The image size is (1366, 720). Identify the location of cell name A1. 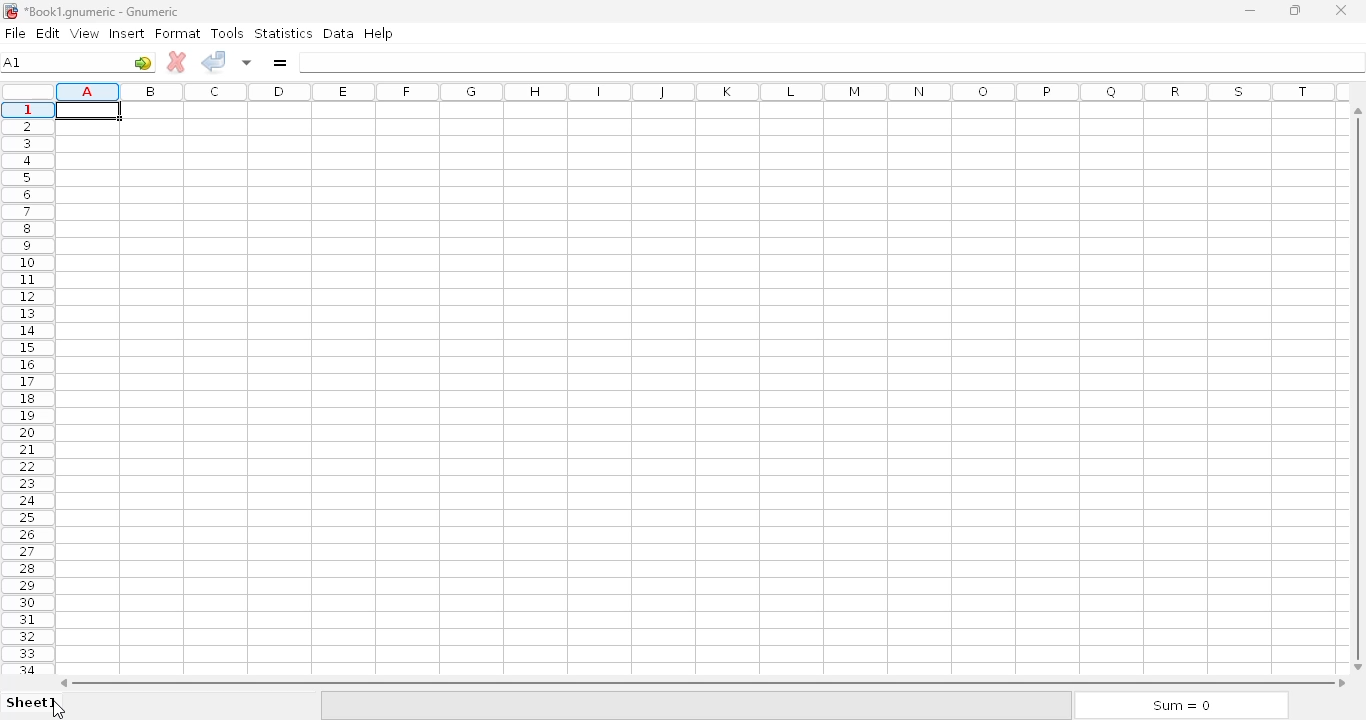
(14, 62).